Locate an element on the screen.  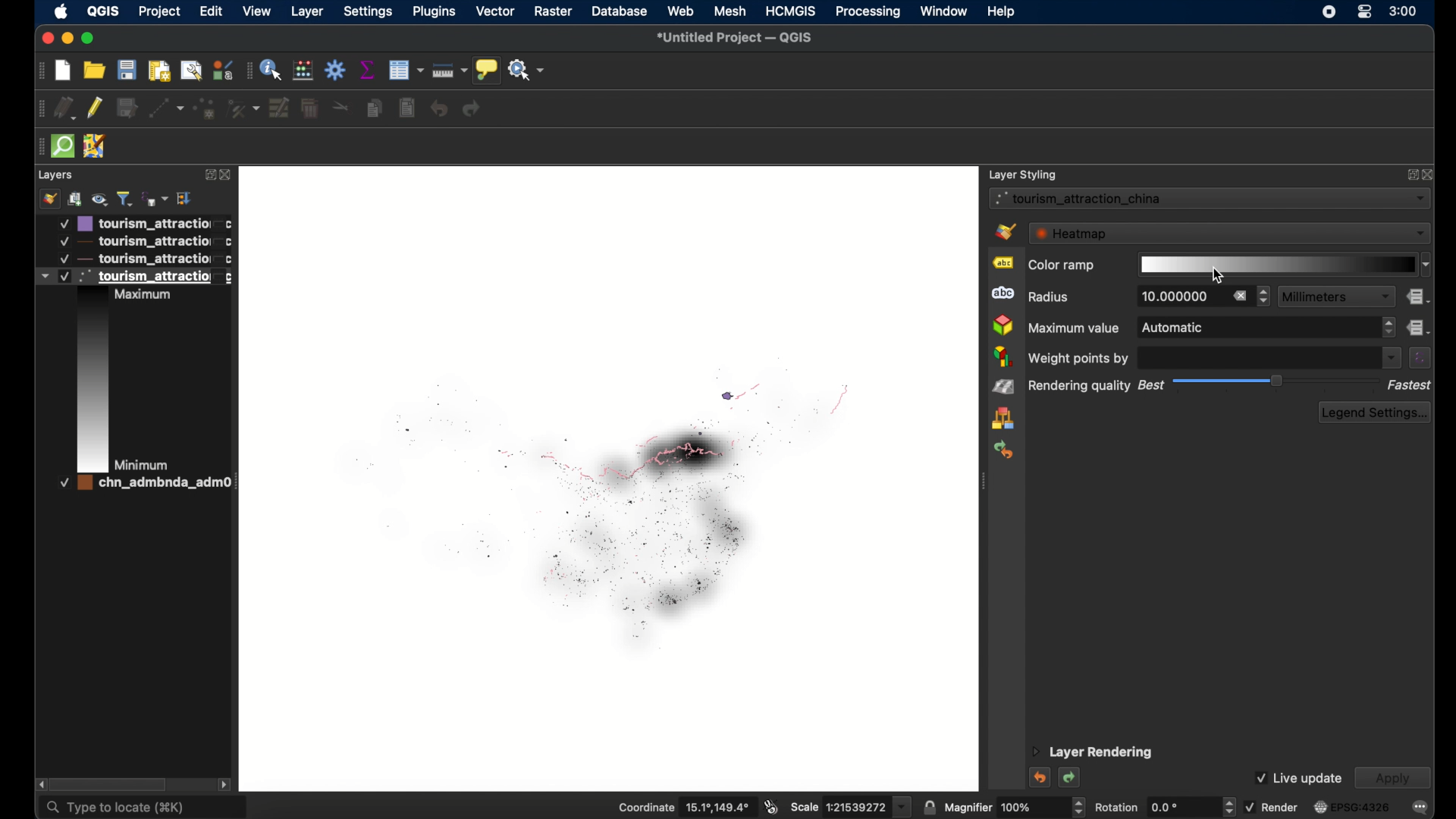
expand is located at coordinates (186, 198).